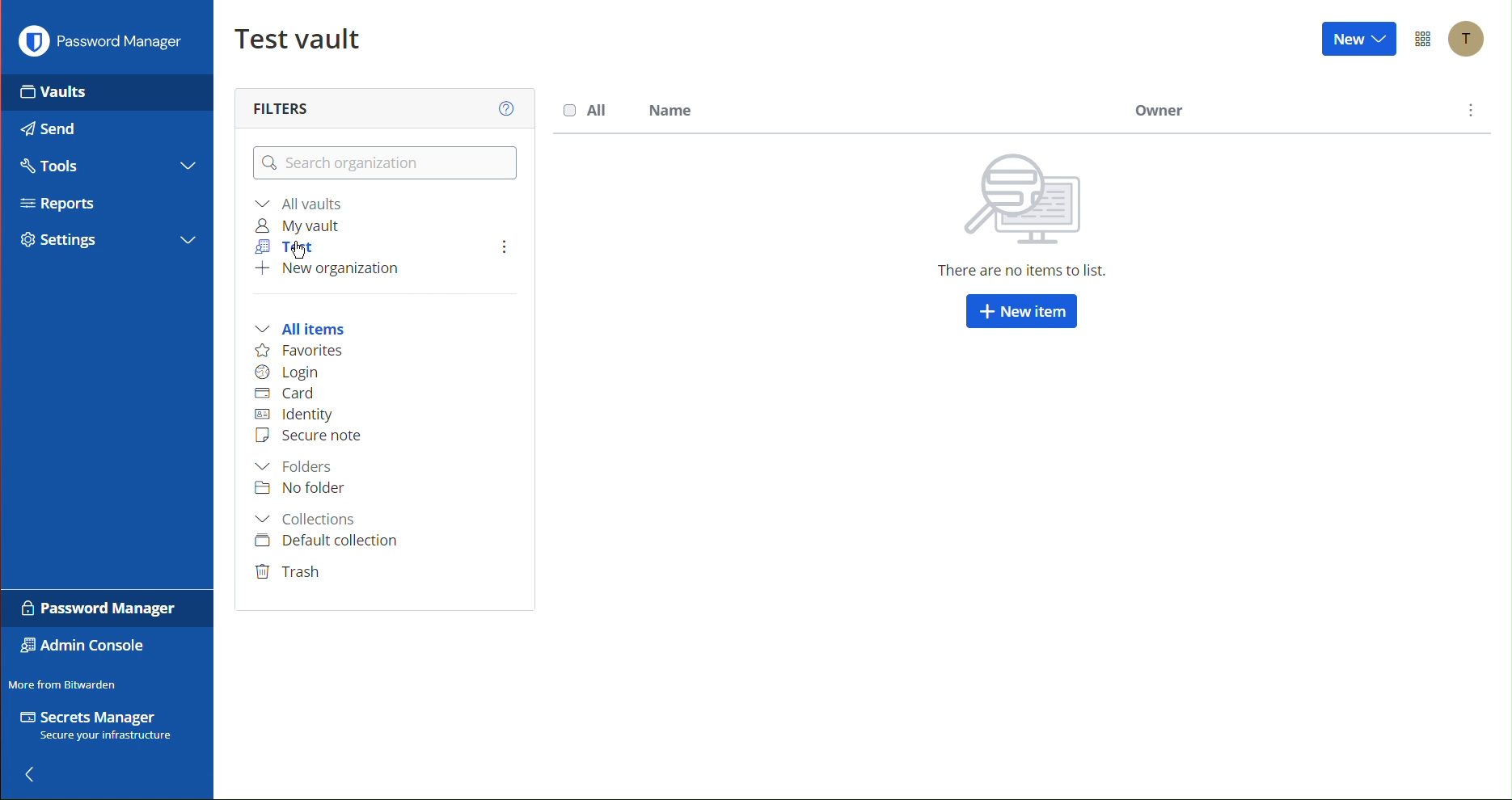 Image resolution: width=1512 pixels, height=800 pixels. I want to click on More from Bitwarden, so click(66, 684).